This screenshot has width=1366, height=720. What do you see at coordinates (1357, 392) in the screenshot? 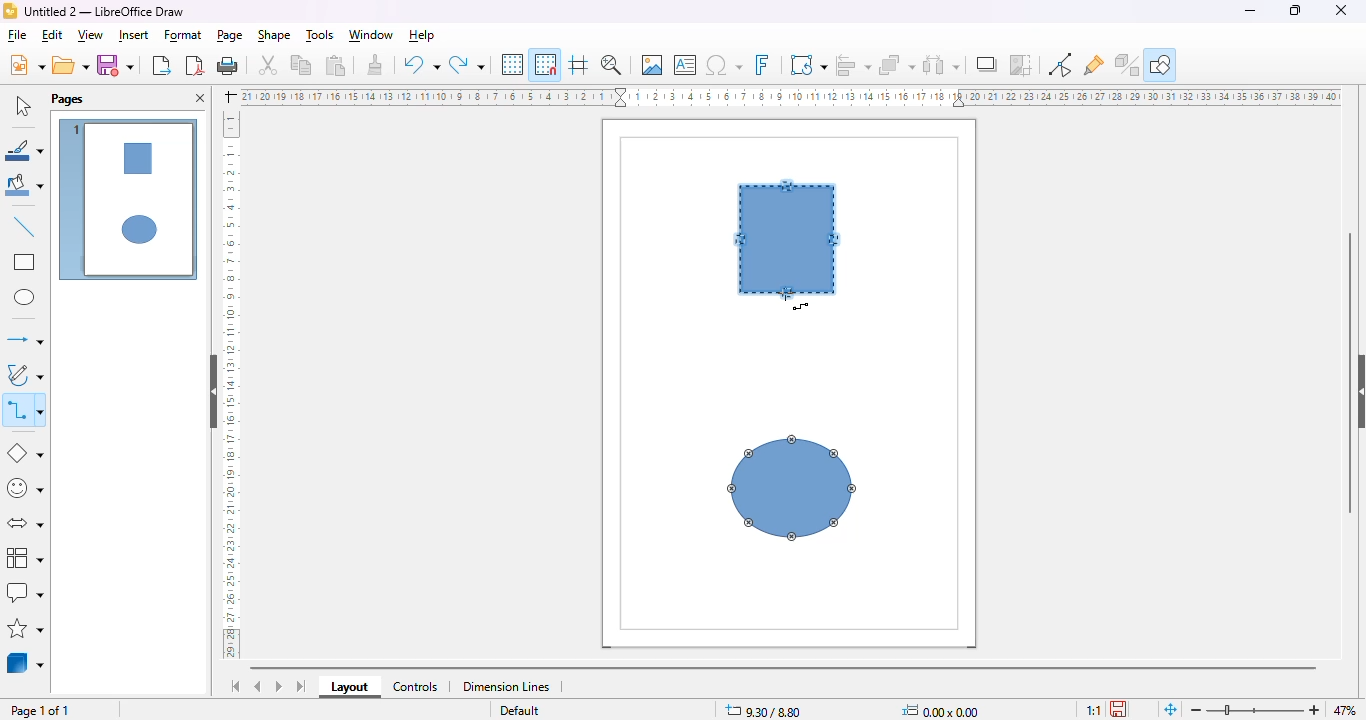
I see `show` at bounding box center [1357, 392].